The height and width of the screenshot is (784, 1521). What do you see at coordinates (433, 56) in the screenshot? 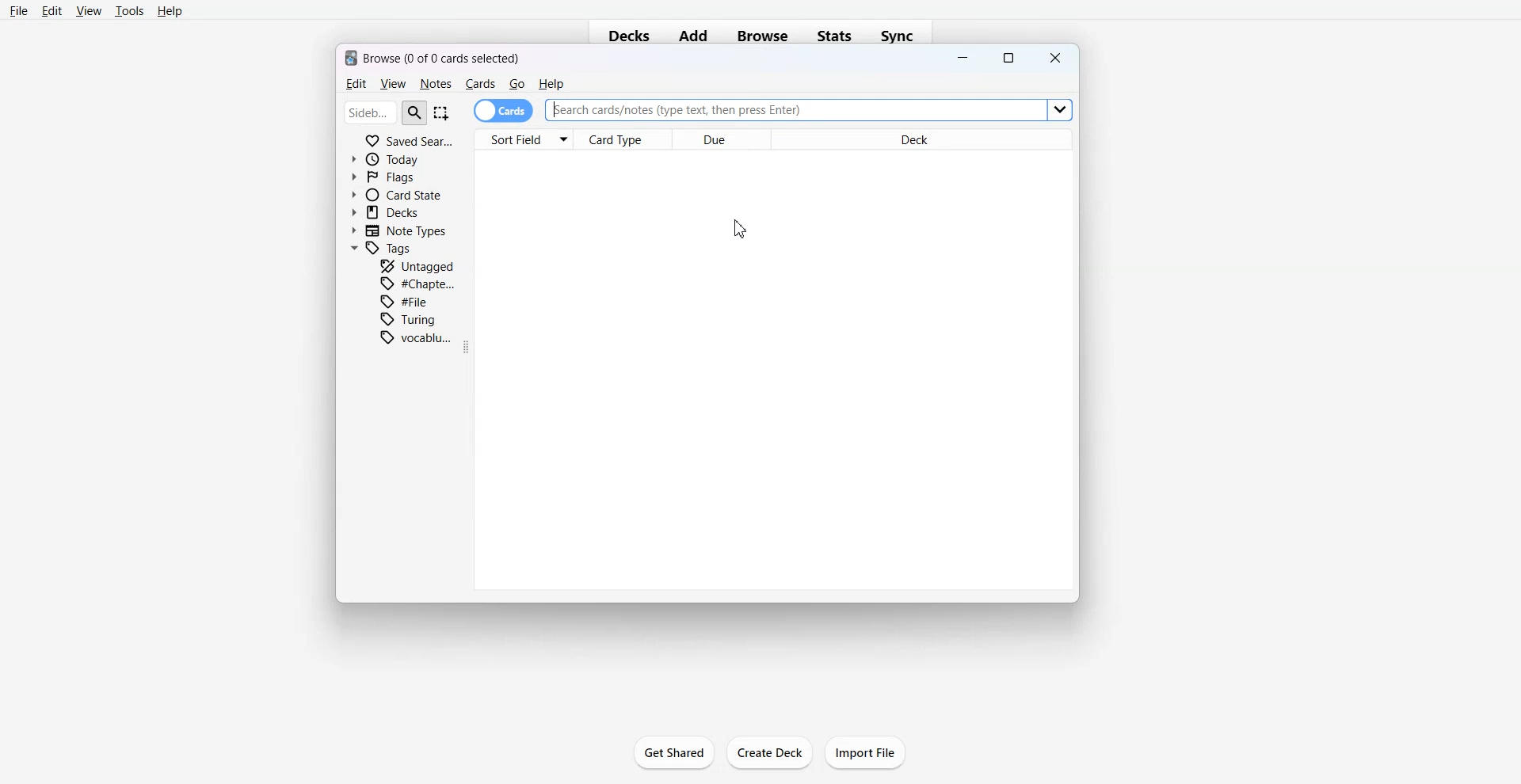
I see `Text` at bounding box center [433, 56].